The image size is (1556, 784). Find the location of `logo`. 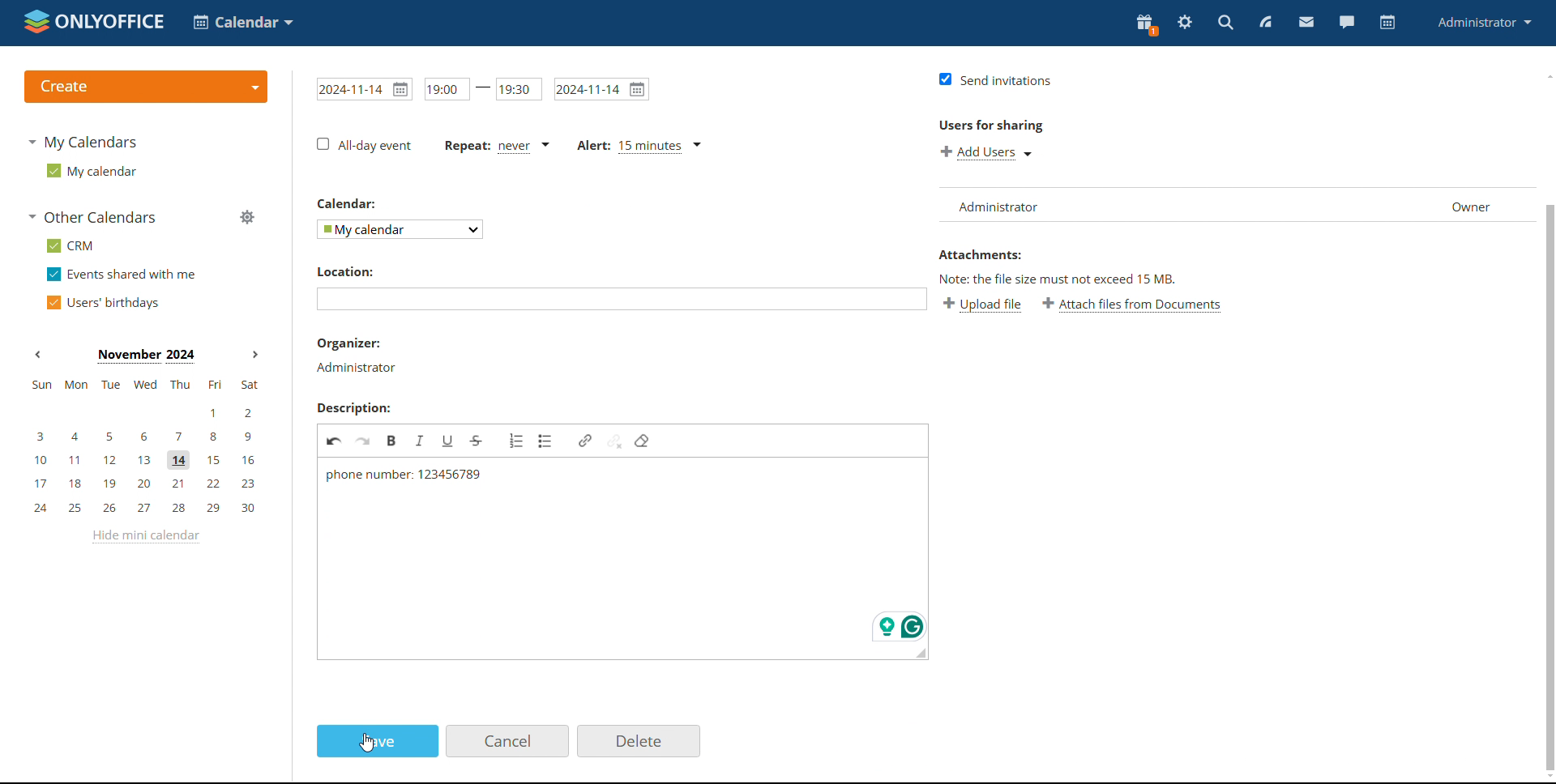

logo is located at coordinates (94, 23).